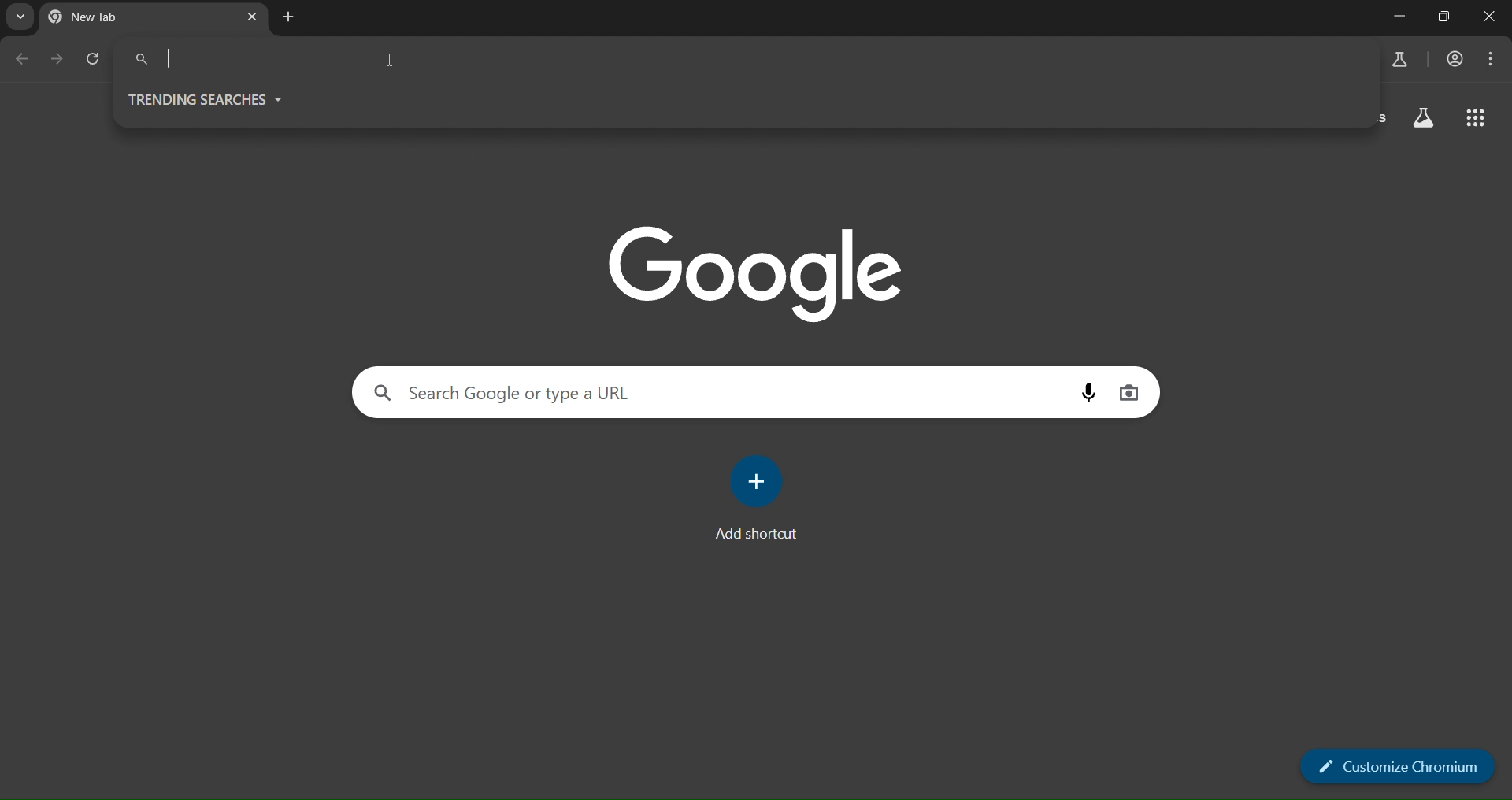  I want to click on search panel, so click(517, 392).